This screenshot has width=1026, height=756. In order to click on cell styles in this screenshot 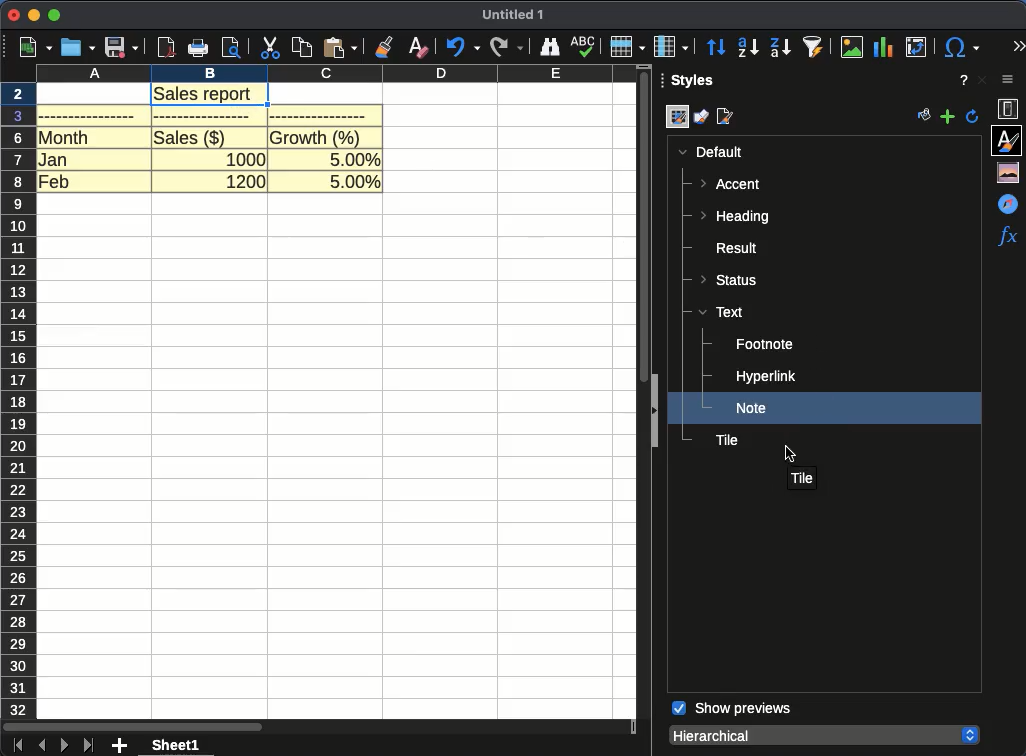, I will do `click(677, 118)`.